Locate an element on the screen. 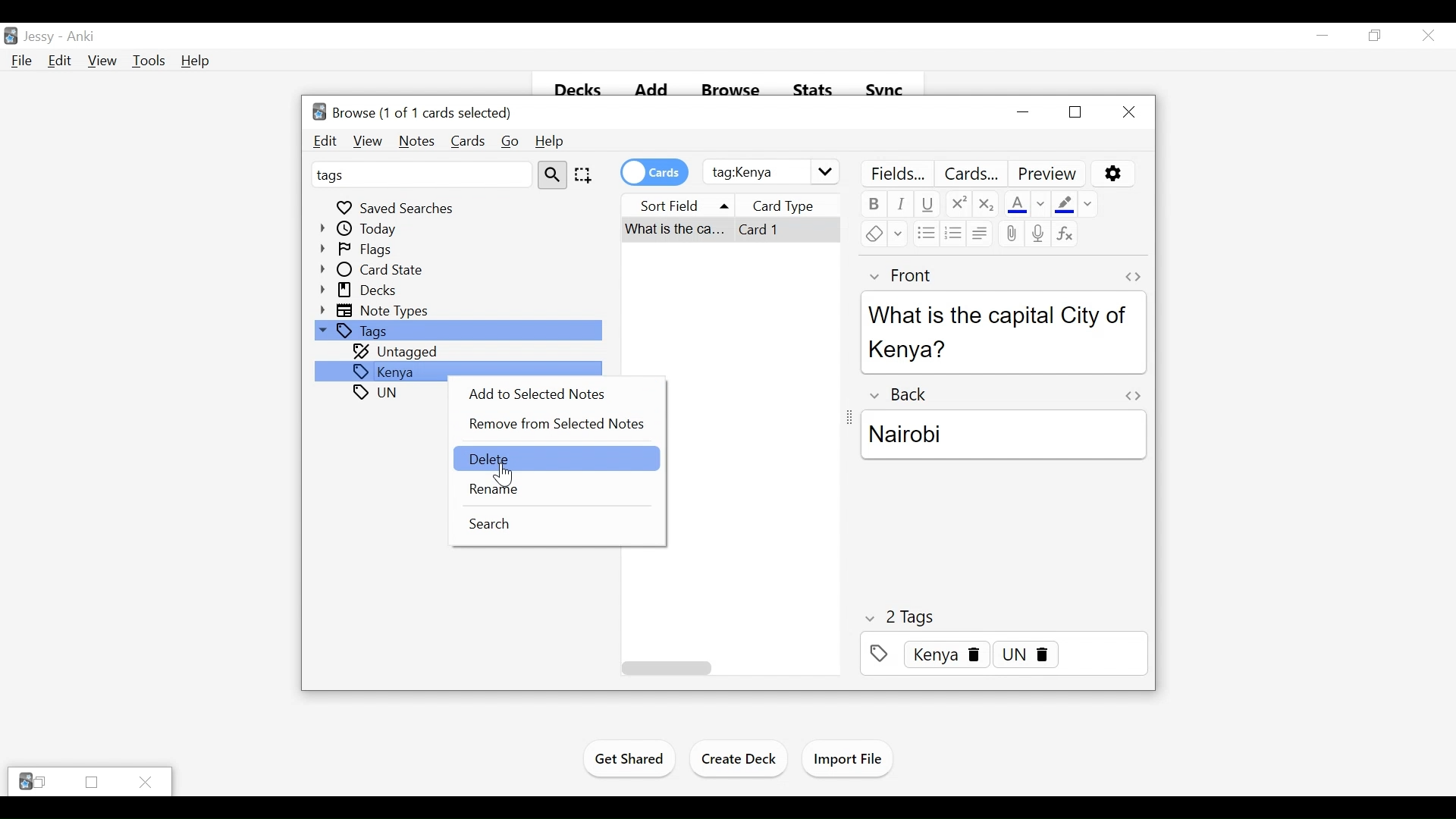 The image size is (1456, 819). Italics is located at coordinates (902, 205).